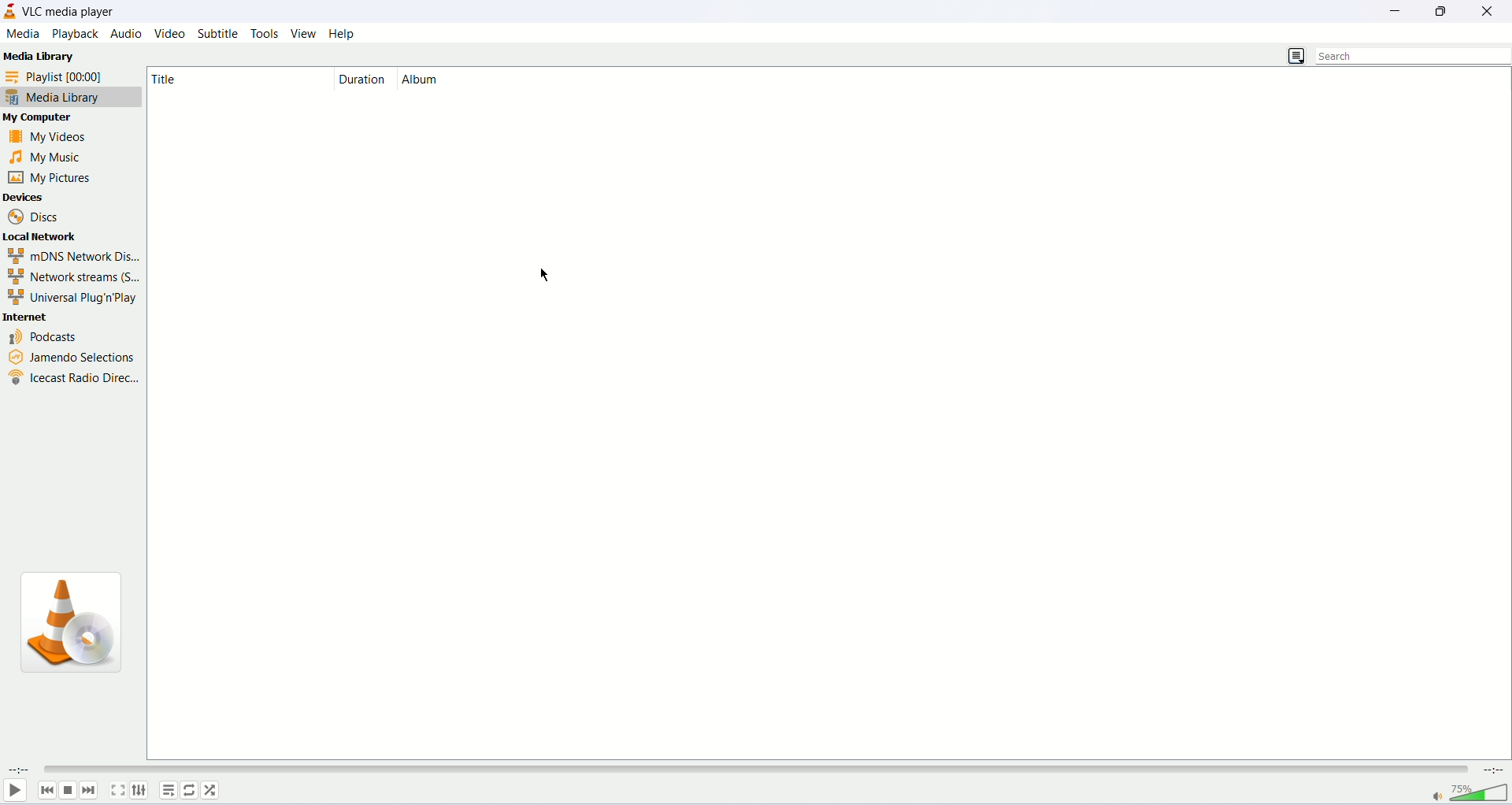  What do you see at coordinates (754, 768) in the screenshot?
I see `progress bar` at bounding box center [754, 768].